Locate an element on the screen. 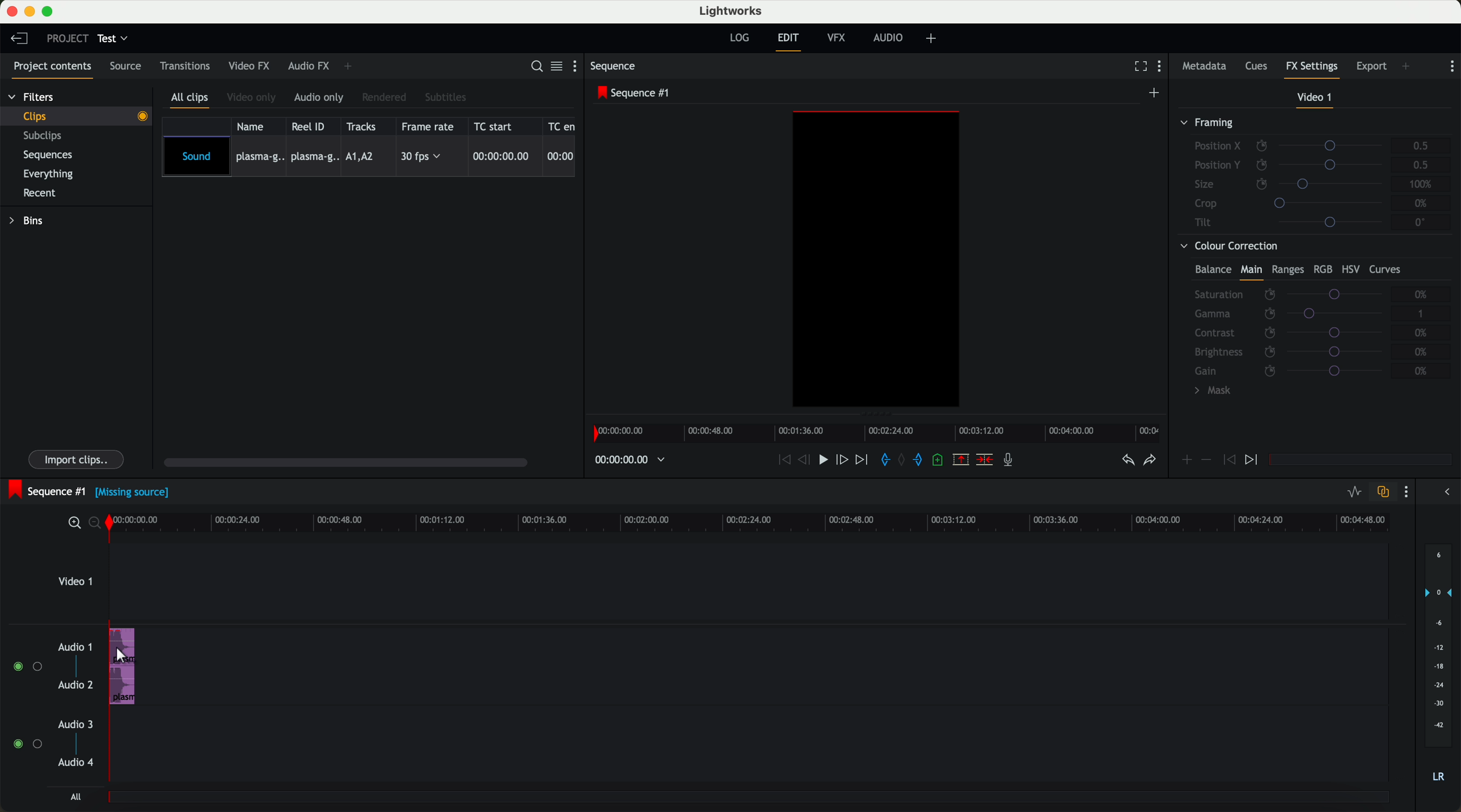 The height and width of the screenshot is (812, 1461). timer is located at coordinates (628, 460).